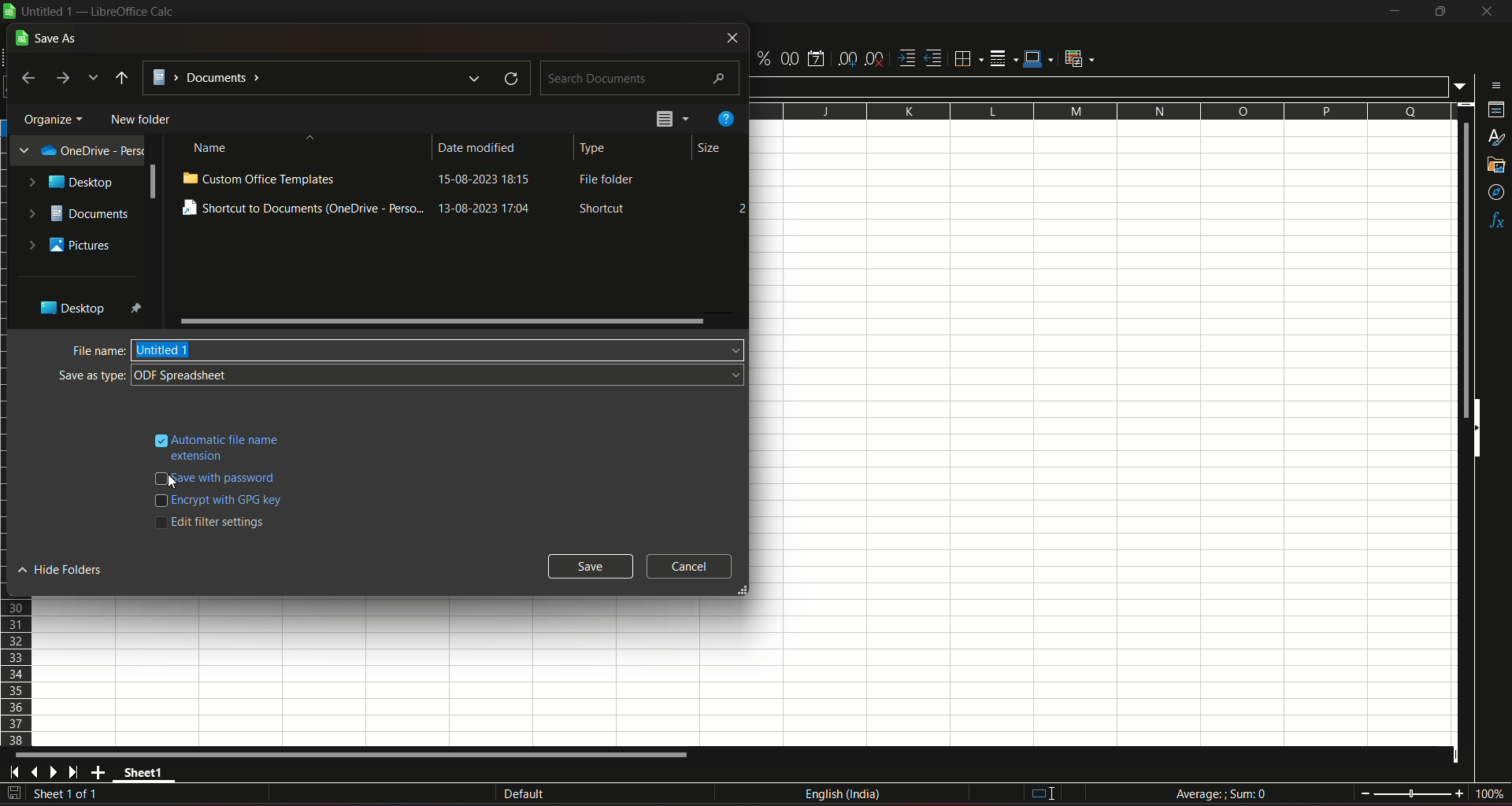  Describe the element at coordinates (731, 39) in the screenshot. I see `close` at that location.